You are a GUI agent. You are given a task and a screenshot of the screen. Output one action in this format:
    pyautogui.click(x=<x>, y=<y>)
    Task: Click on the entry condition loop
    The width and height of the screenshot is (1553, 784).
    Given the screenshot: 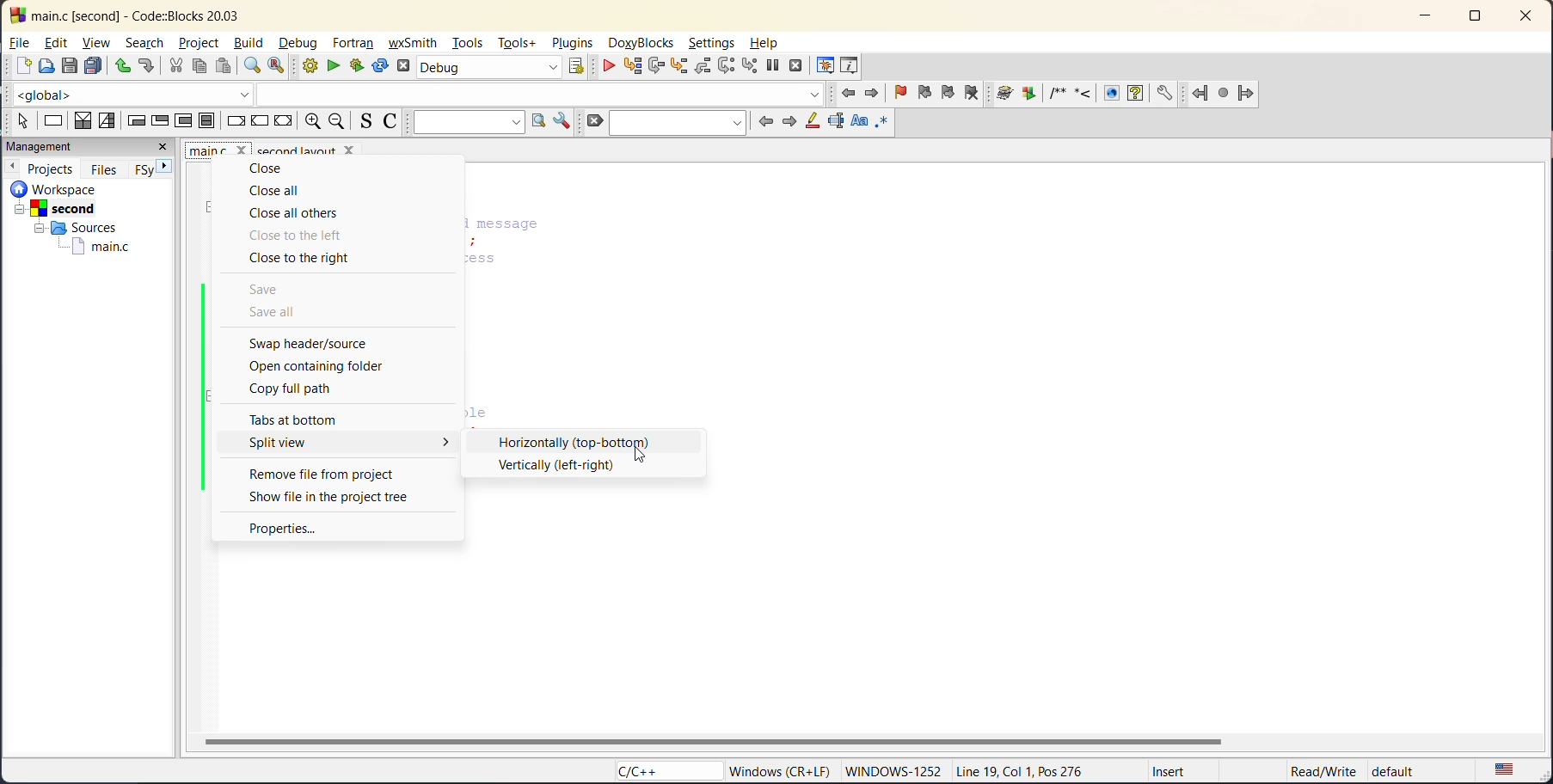 What is the action you would take?
    pyautogui.click(x=137, y=121)
    